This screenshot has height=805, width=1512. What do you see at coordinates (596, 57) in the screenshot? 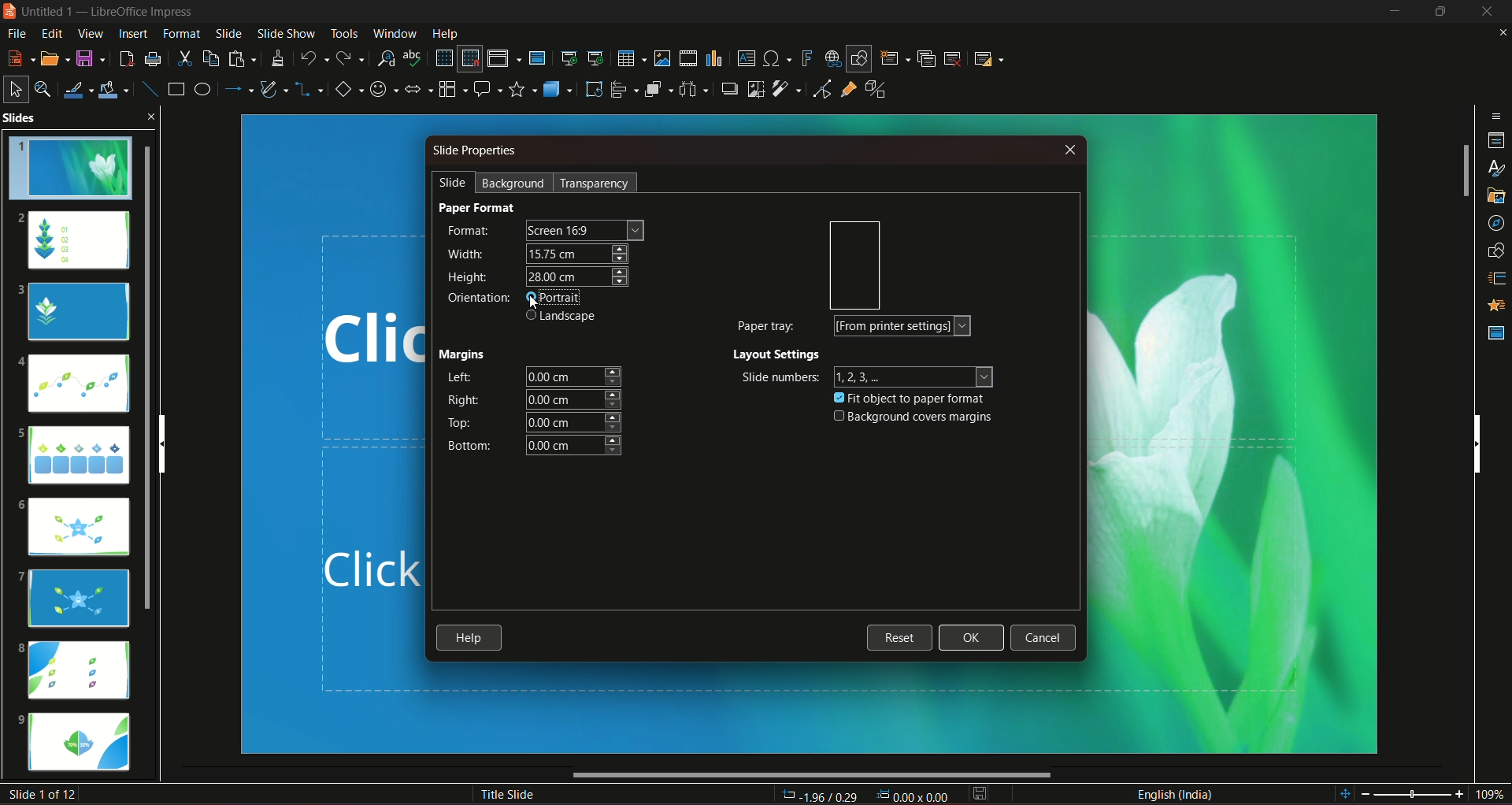
I see `start from the current slide` at bounding box center [596, 57].